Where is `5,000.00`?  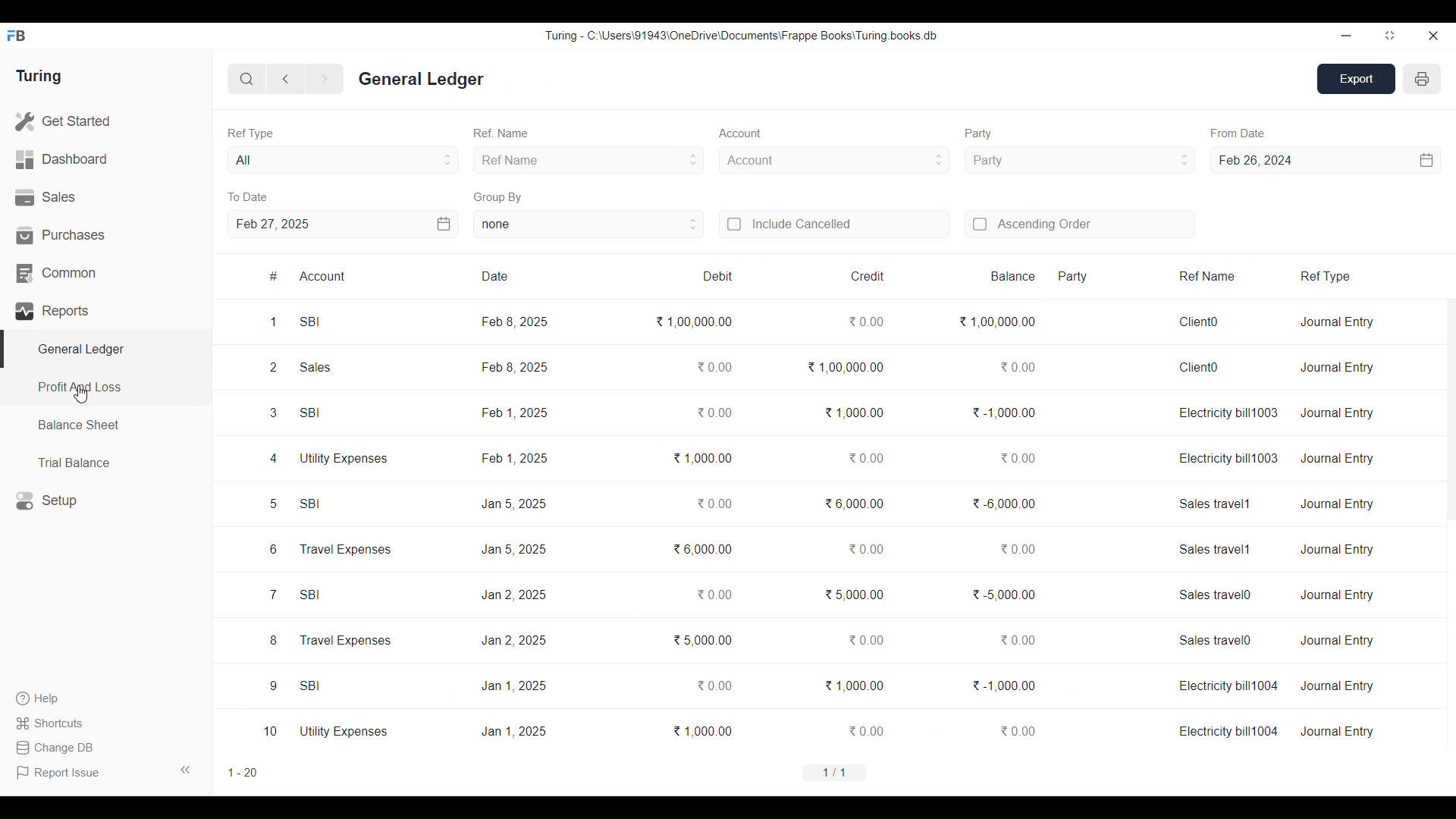
5,000.00 is located at coordinates (855, 594).